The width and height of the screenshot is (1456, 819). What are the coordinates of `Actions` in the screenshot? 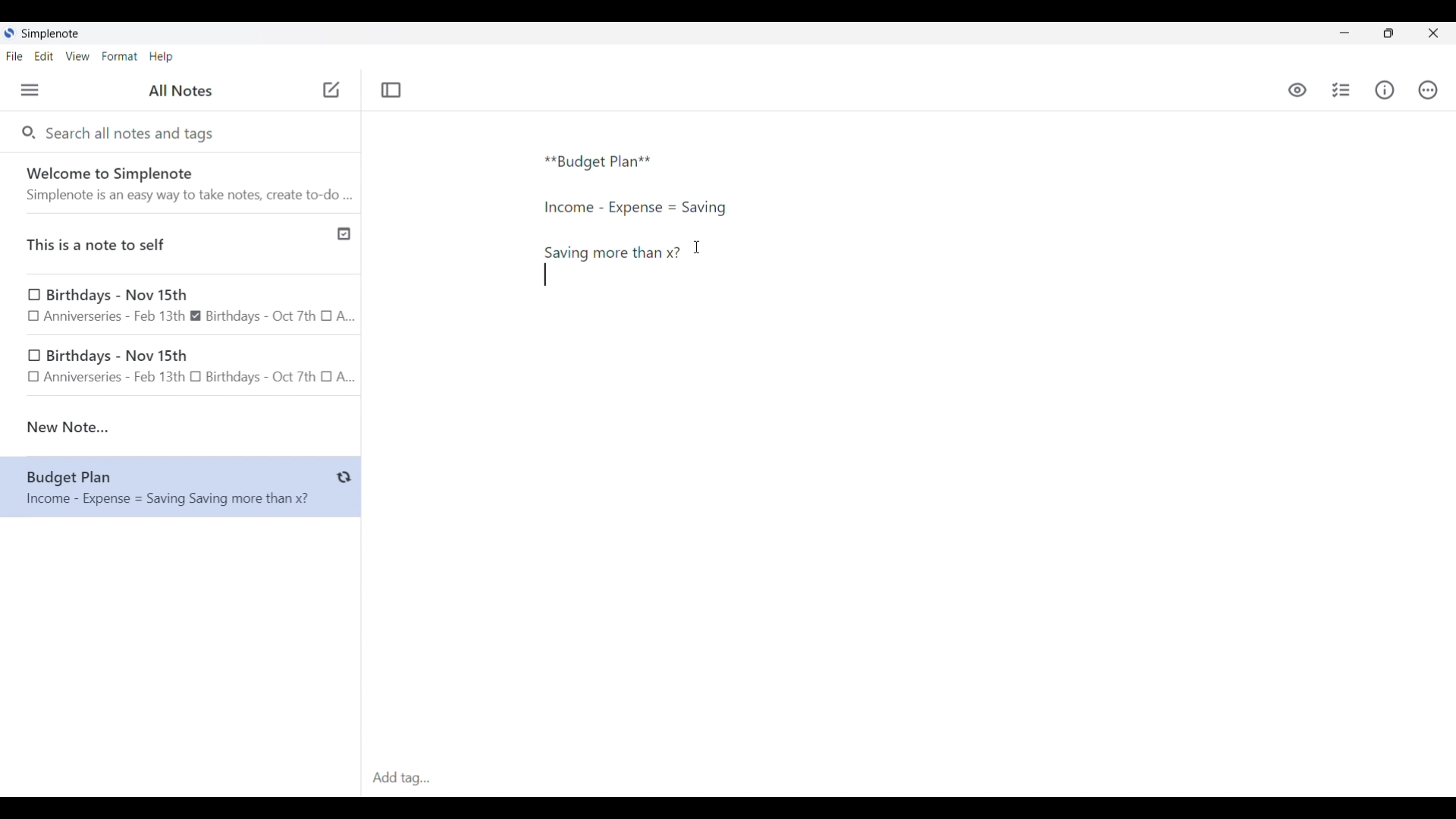 It's located at (1427, 90).